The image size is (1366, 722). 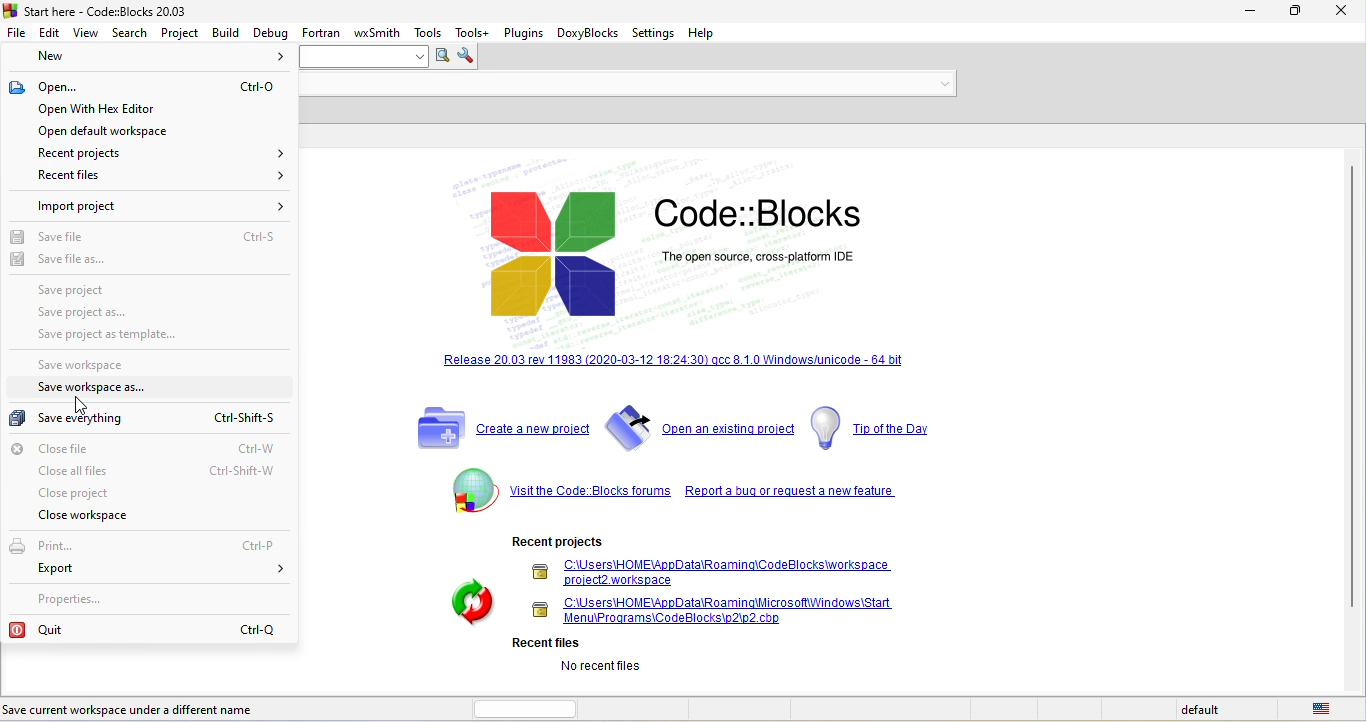 I want to click on edit, so click(x=50, y=31).